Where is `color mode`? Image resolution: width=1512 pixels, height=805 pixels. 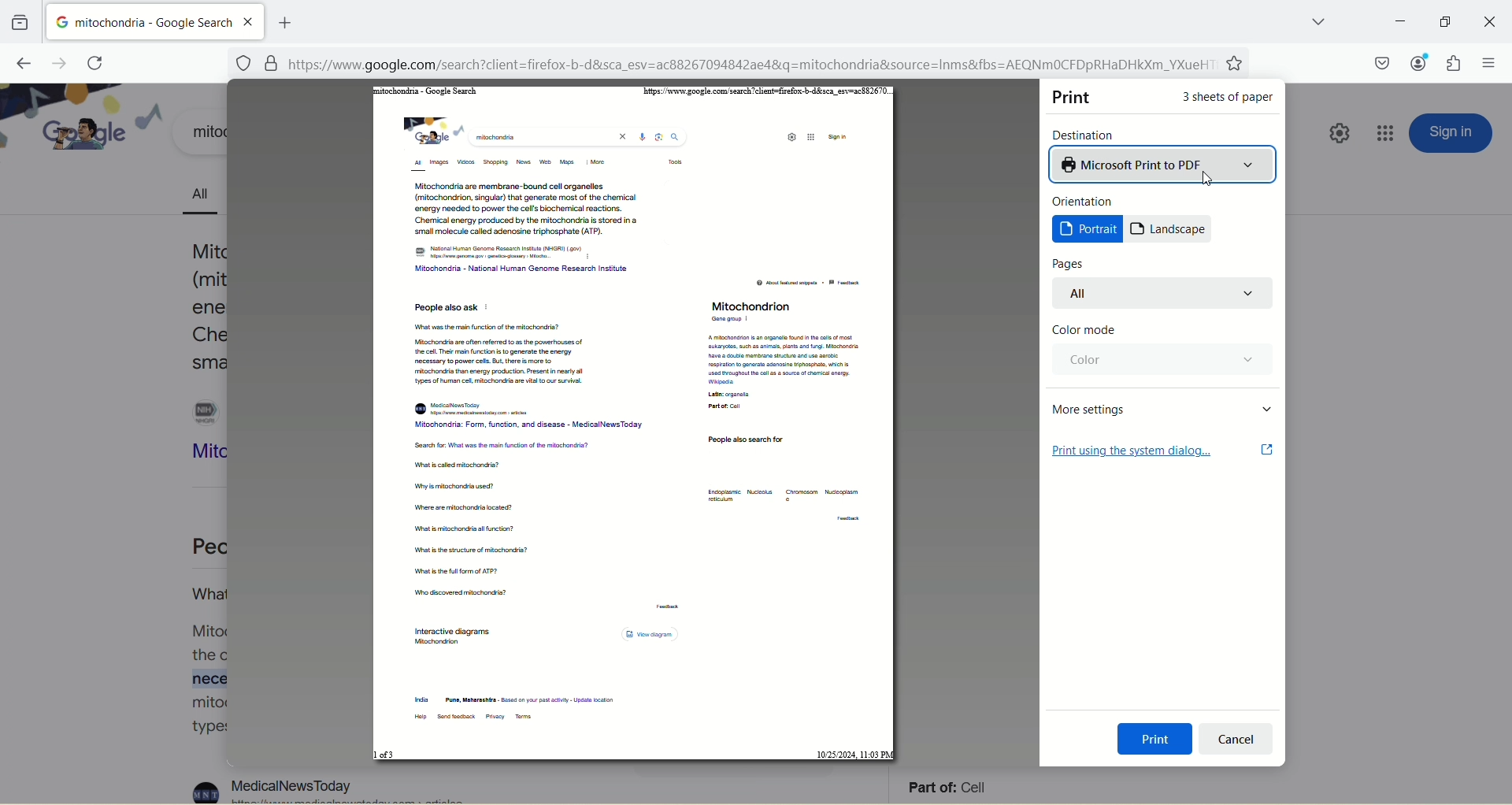
color mode is located at coordinates (1084, 331).